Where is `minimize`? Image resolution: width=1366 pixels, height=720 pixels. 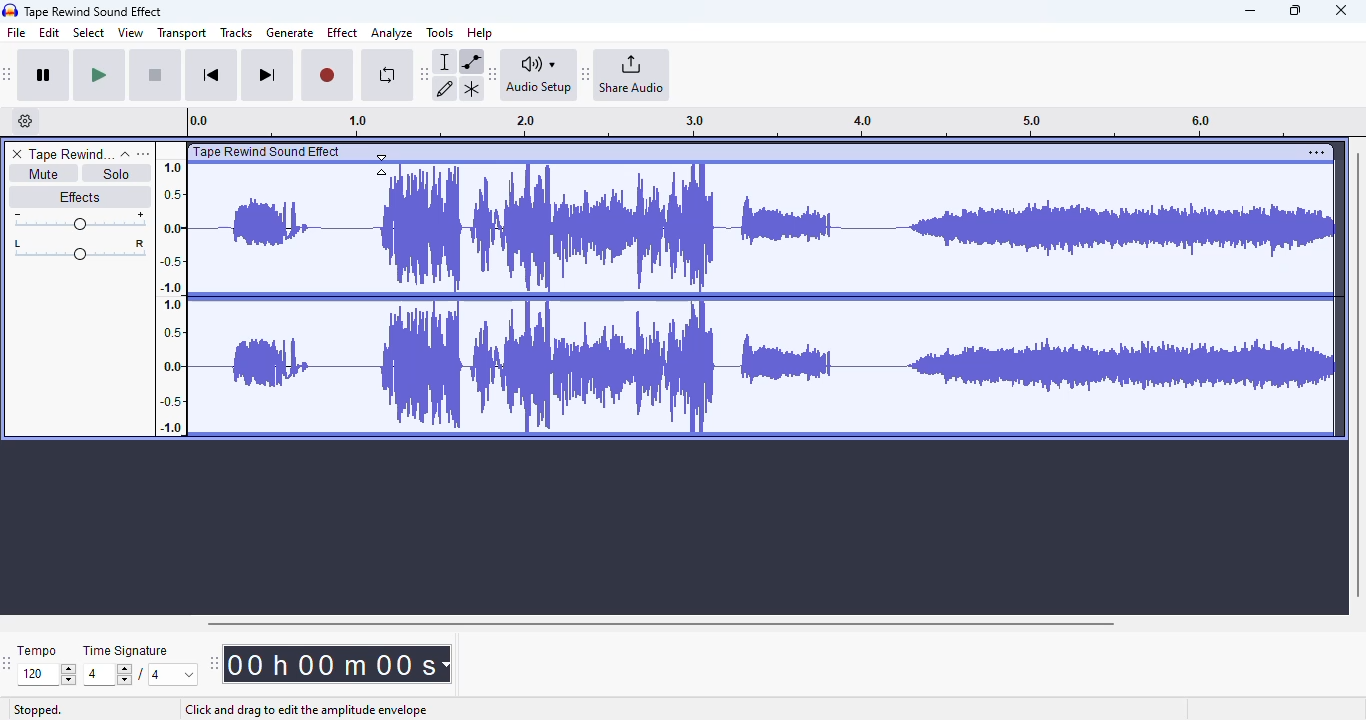 minimize is located at coordinates (1250, 11).